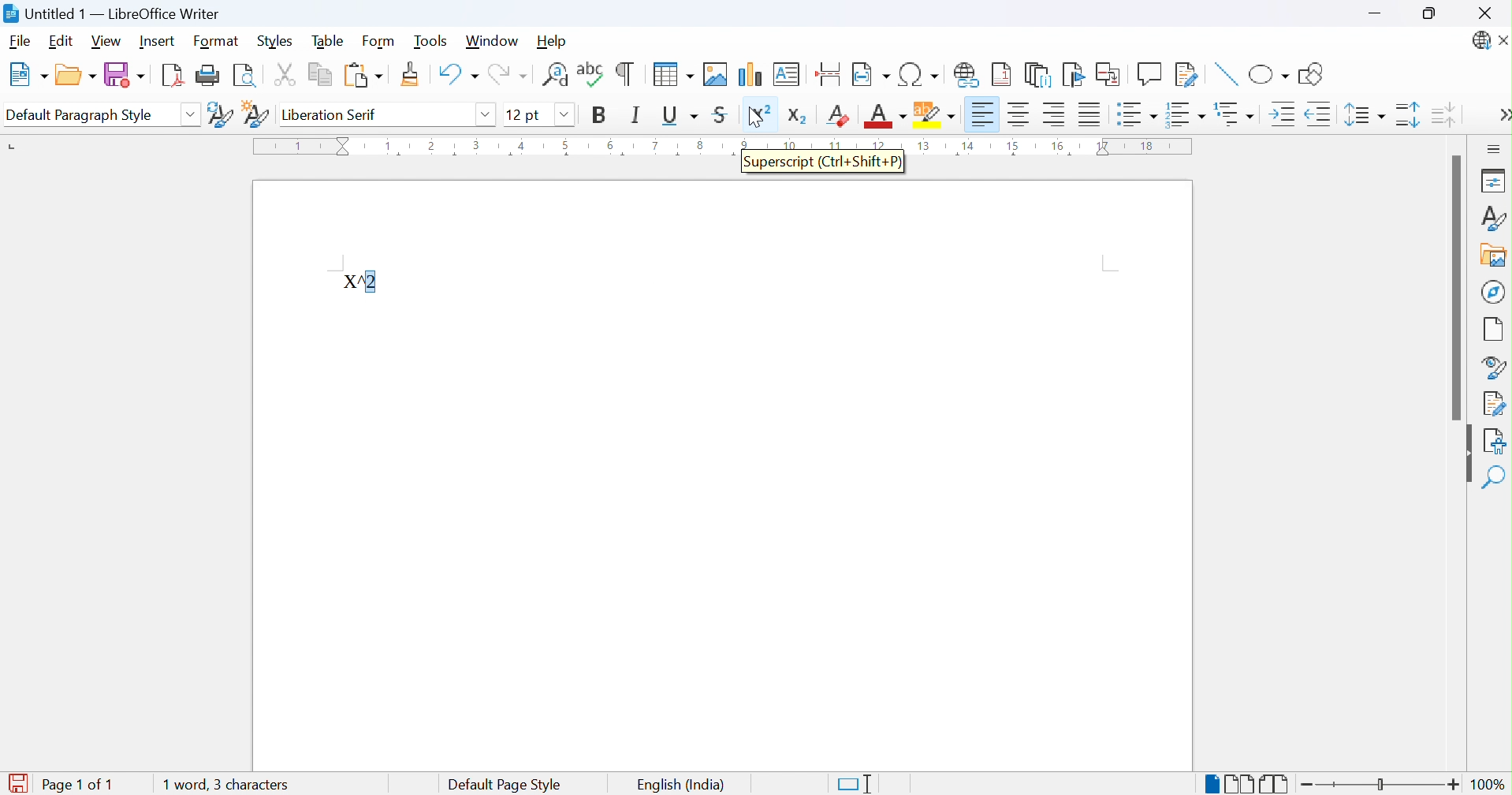 Image resolution: width=1512 pixels, height=795 pixels. I want to click on Redo, so click(508, 73).